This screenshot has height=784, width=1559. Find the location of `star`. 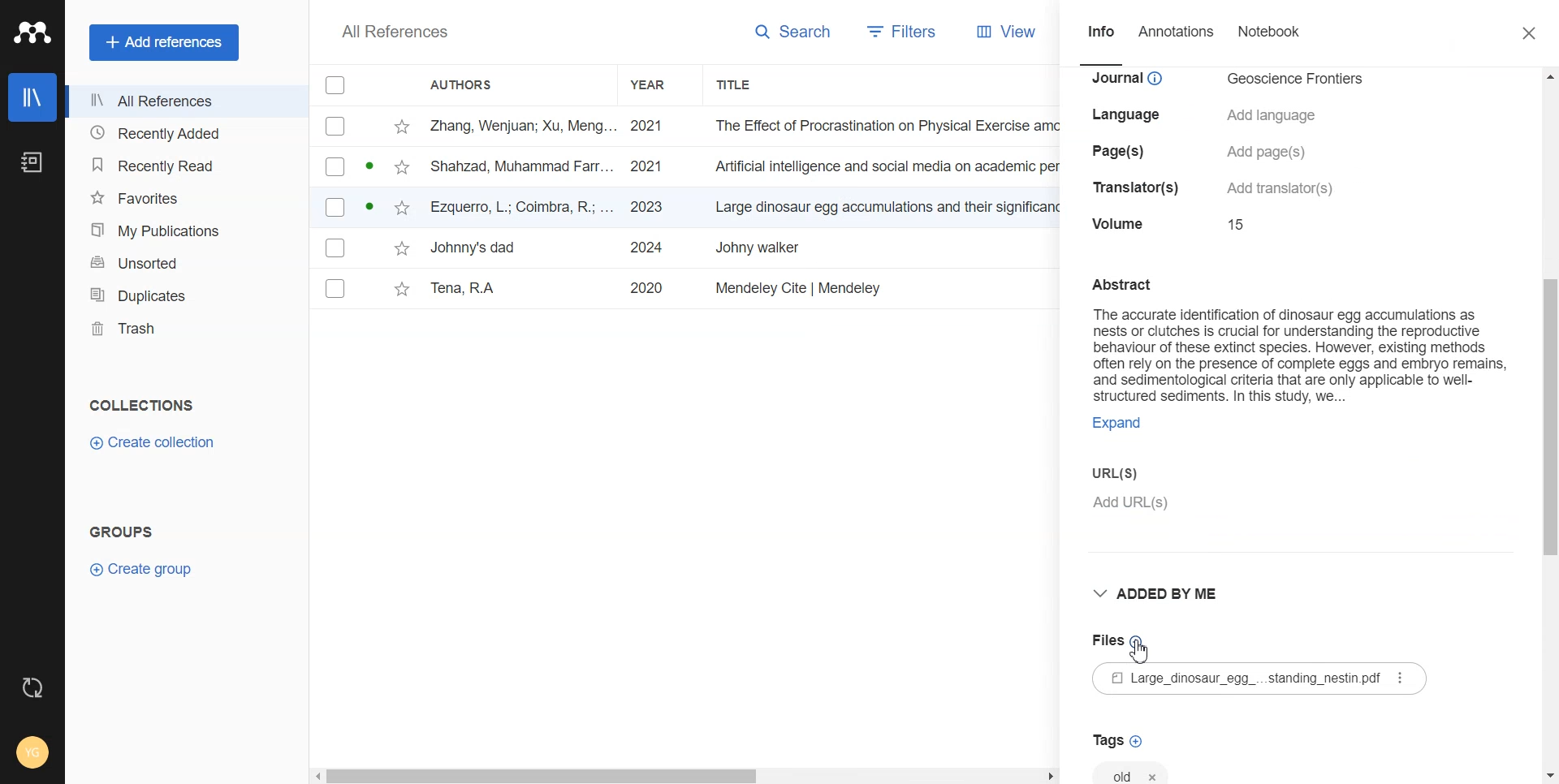

star is located at coordinates (403, 291).